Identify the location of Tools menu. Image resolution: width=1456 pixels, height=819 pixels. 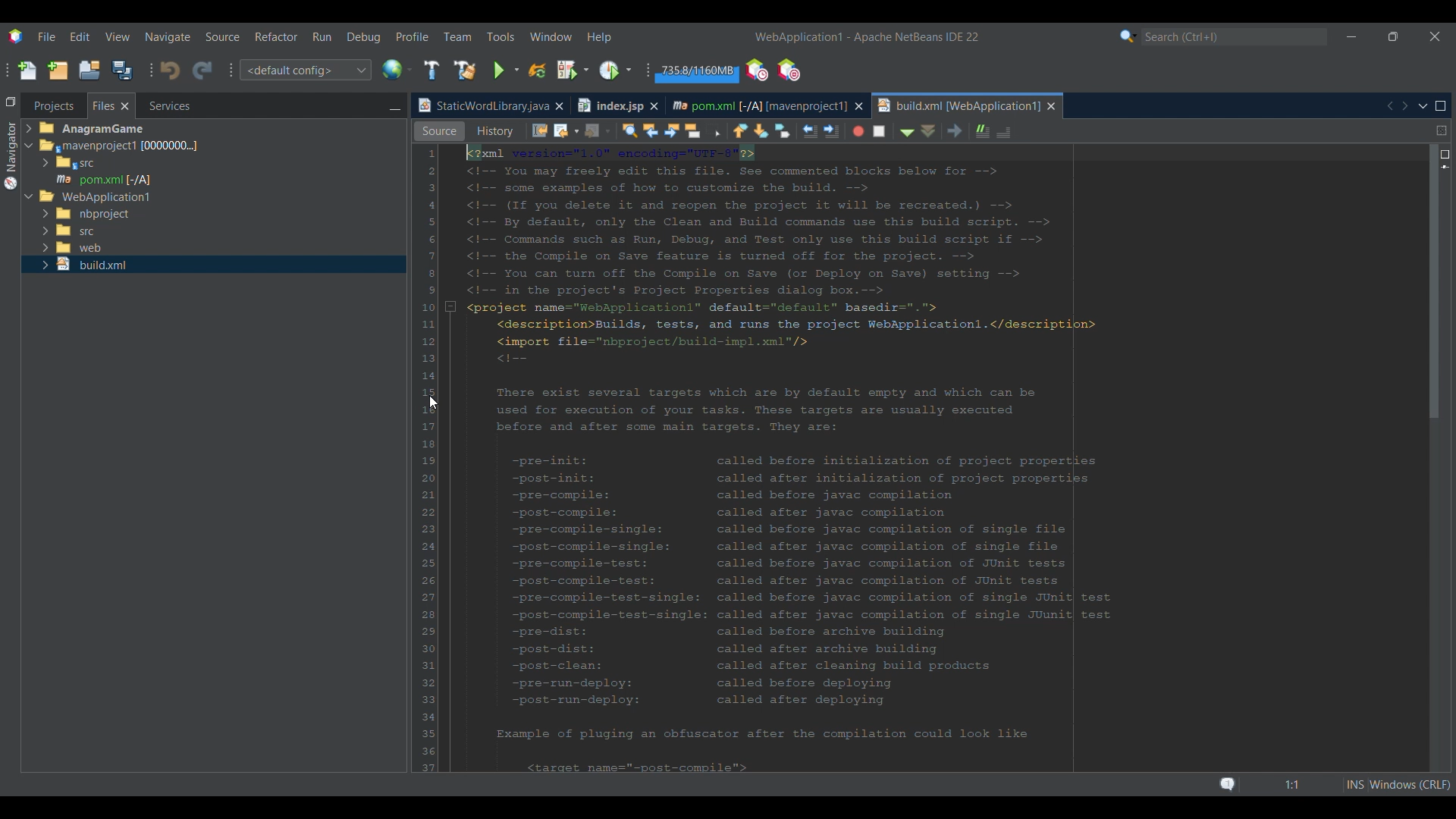
(500, 36).